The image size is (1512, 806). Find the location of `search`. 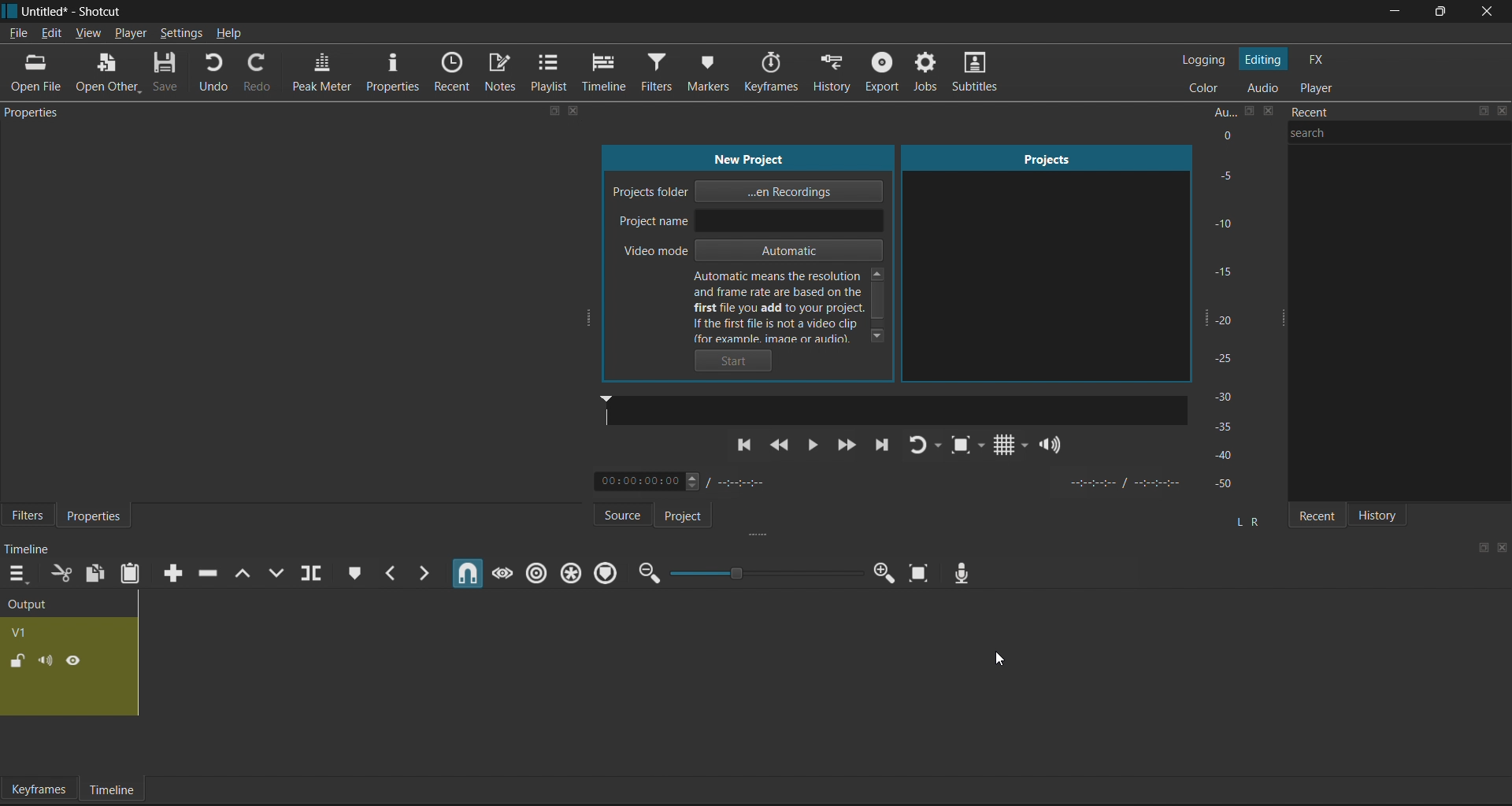

search is located at coordinates (1403, 142).